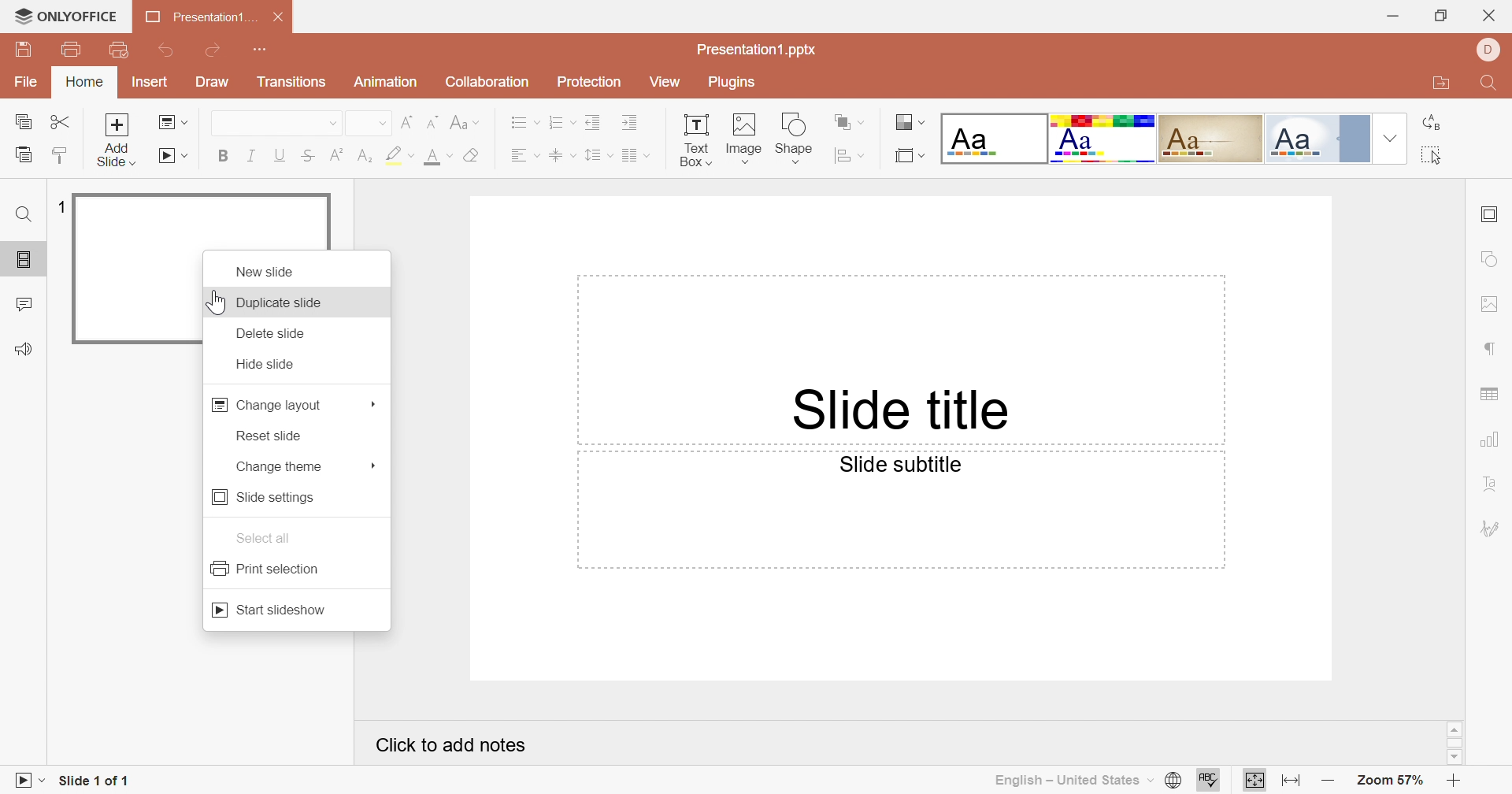 This screenshot has height=794, width=1512. I want to click on Comment, so click(23, 303).